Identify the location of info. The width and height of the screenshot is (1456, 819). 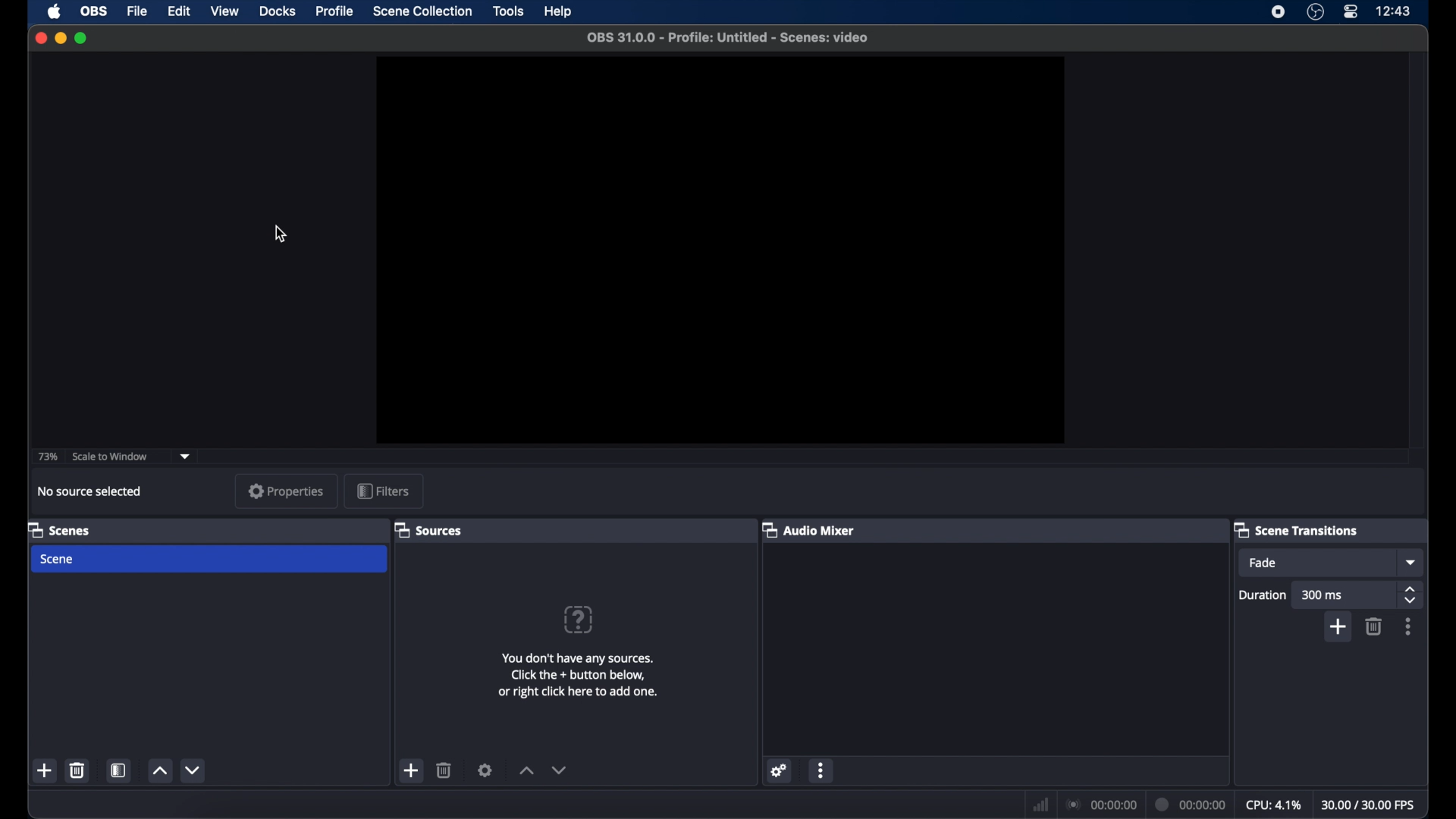
(576, 674).